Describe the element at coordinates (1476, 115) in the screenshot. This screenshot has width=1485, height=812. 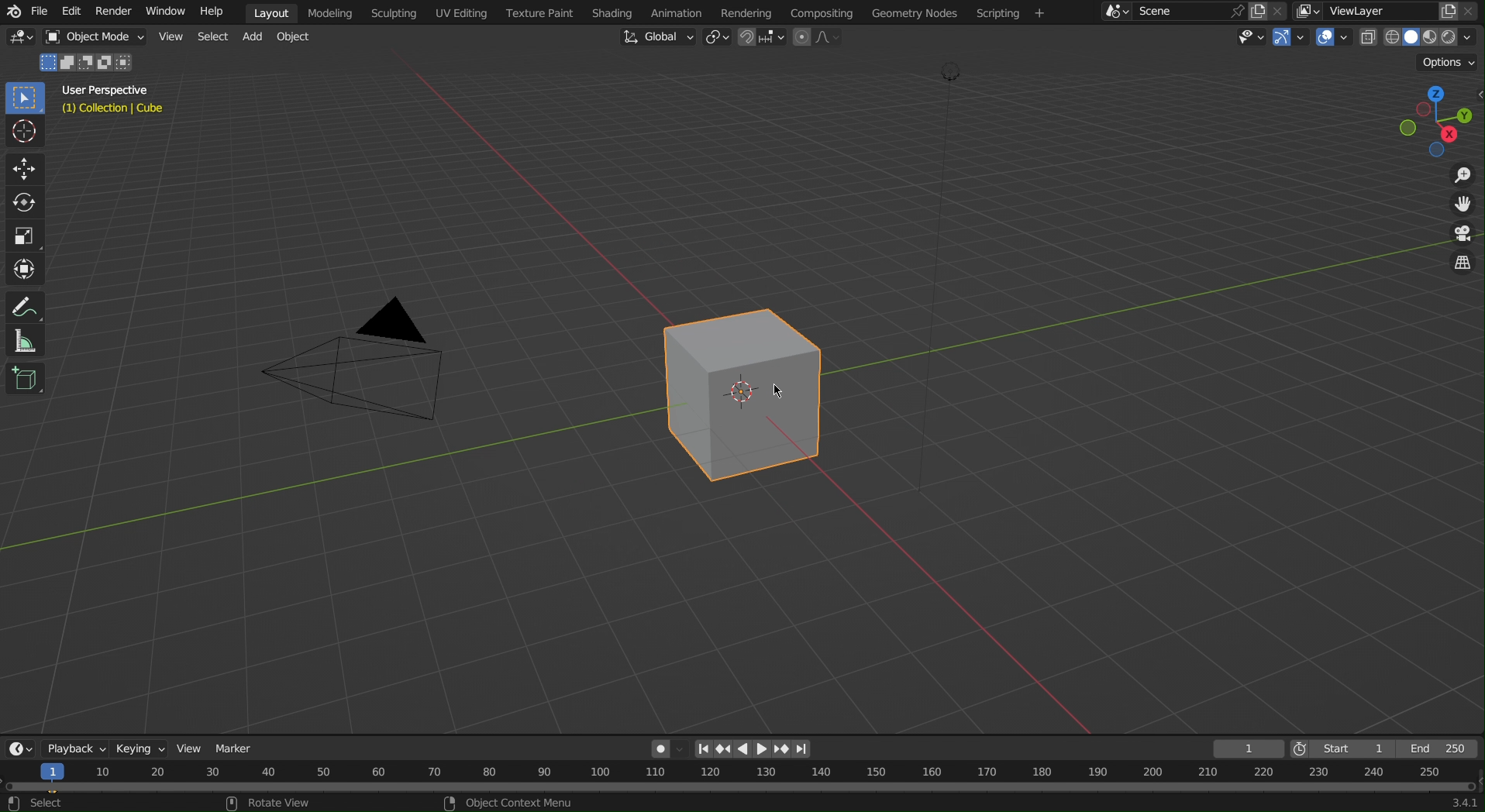
I see `open/close side bar` at that location.